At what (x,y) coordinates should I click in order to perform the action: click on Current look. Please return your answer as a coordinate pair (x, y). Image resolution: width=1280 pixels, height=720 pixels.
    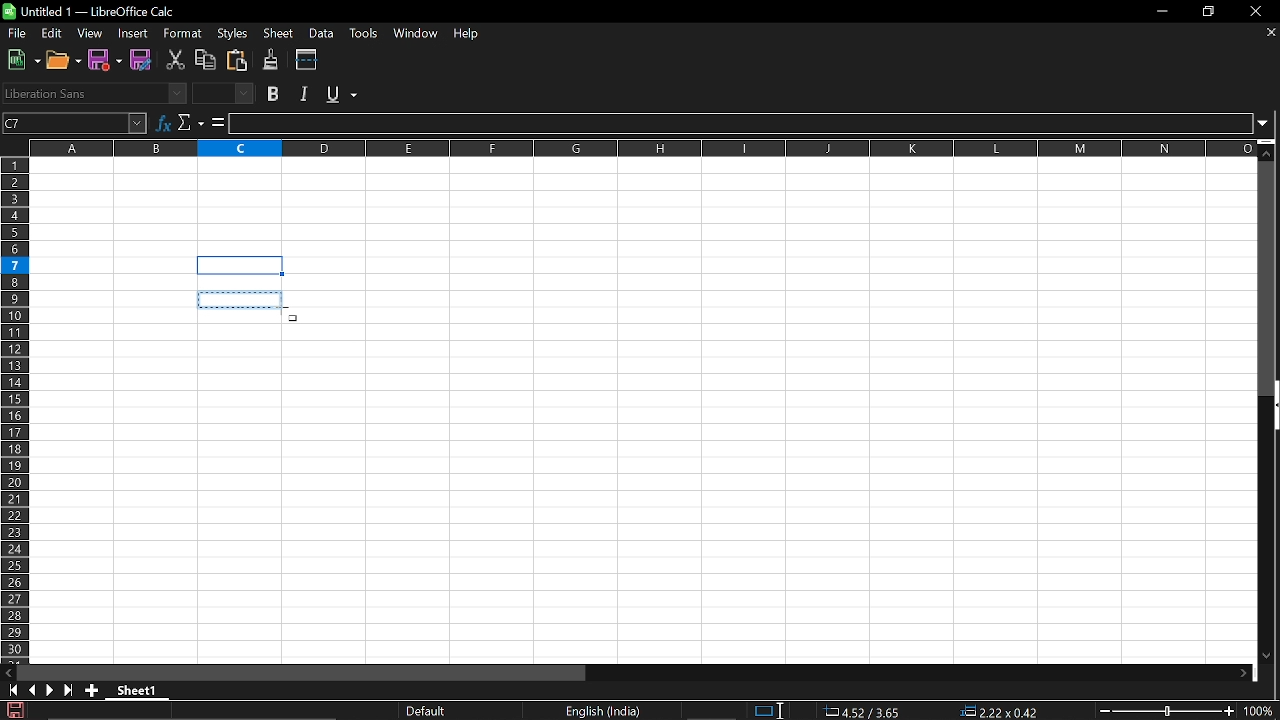
    Looking at the image, I should click on (428, 711).